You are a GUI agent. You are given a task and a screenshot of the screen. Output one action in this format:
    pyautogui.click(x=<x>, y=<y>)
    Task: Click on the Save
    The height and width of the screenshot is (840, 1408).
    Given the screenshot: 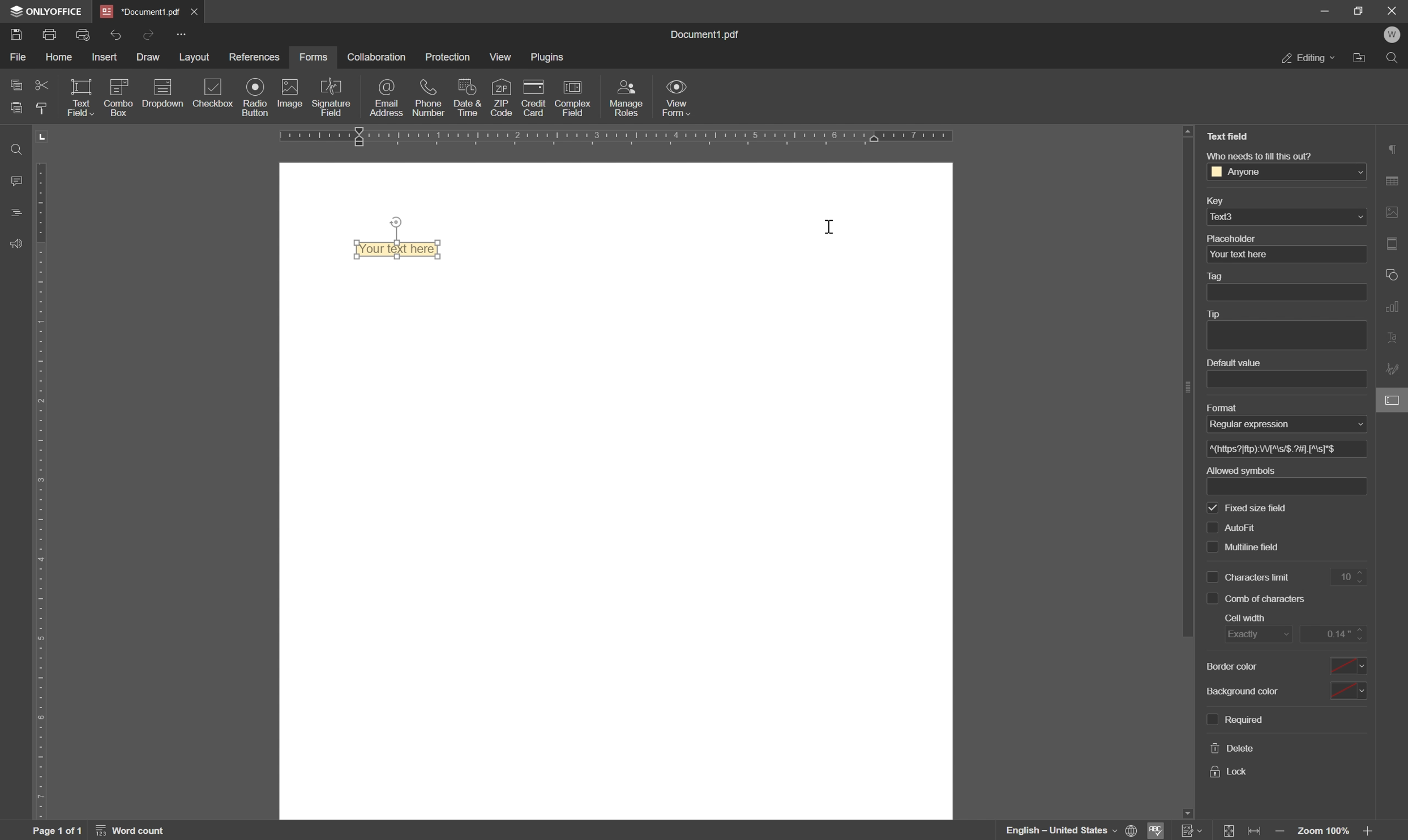 What is the action you would take?
    pyautogui.click(x=17, y=36)
    